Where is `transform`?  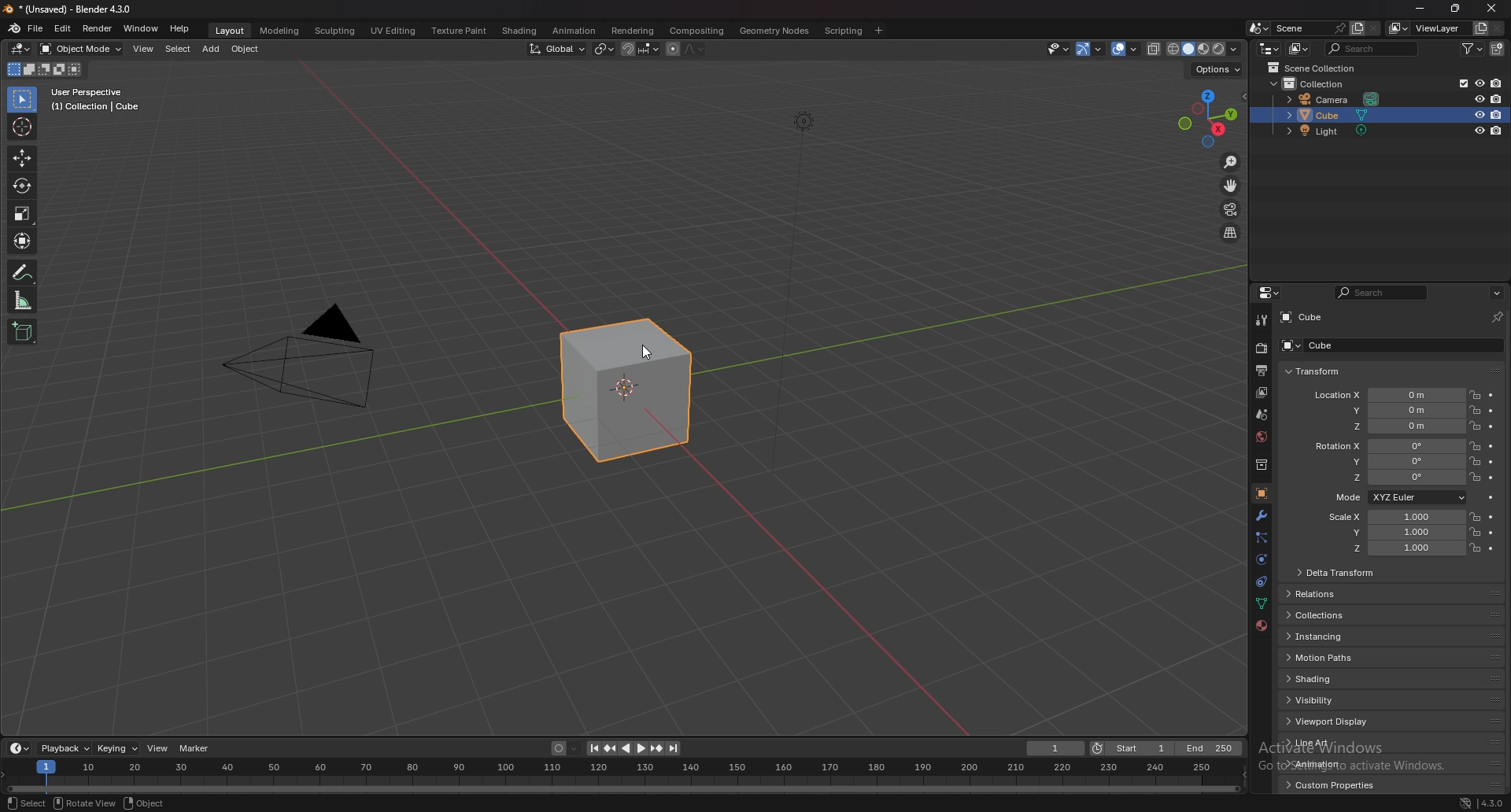
transform is located at coordinates (1313, 372).